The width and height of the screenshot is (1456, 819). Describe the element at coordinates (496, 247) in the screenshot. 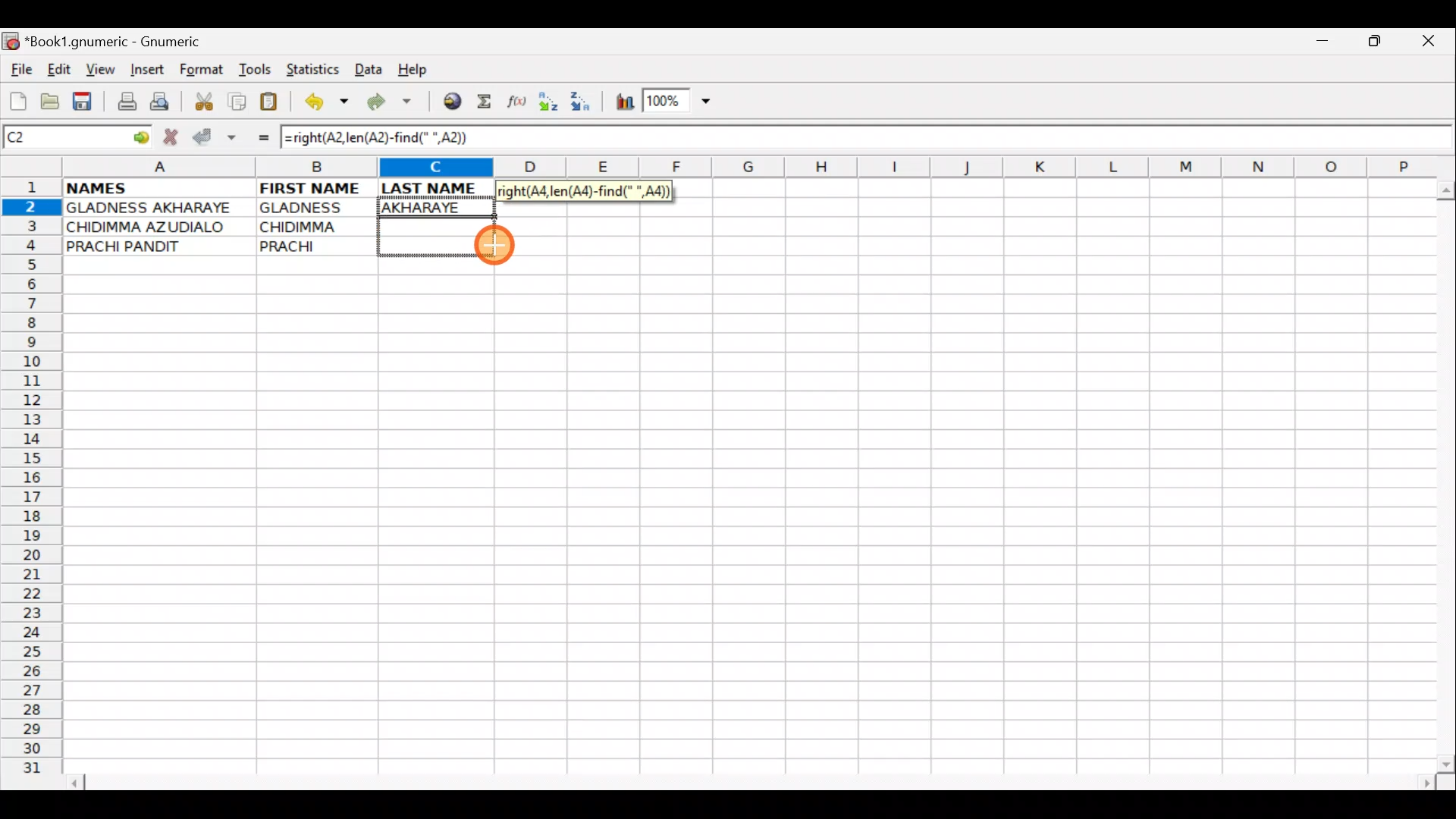

I see `Cursor on cell C5` at that location.